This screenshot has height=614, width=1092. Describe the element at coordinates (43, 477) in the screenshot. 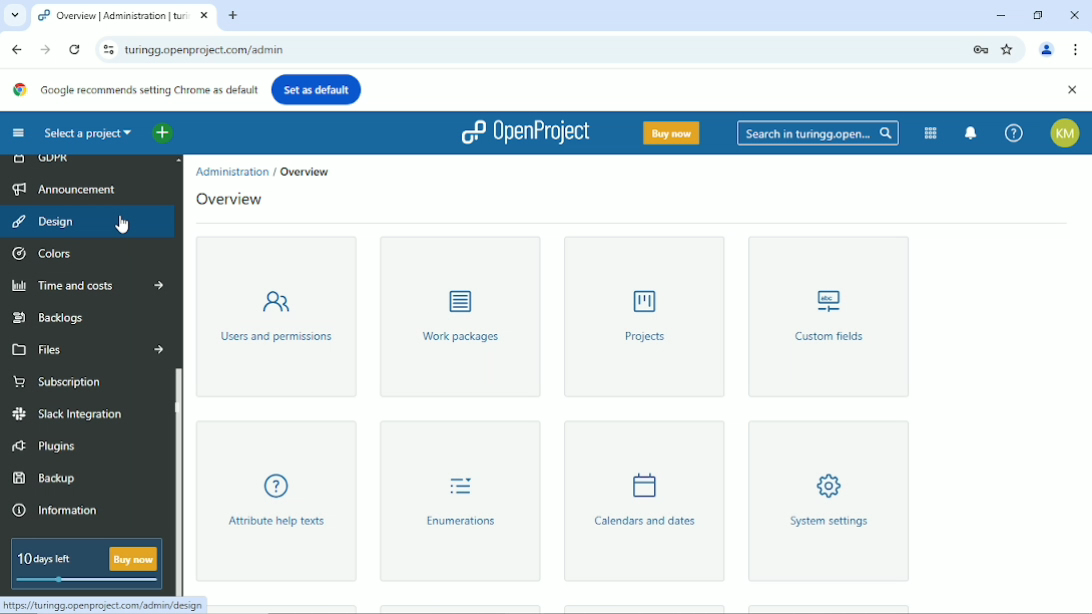

I see `Backup` at that location.